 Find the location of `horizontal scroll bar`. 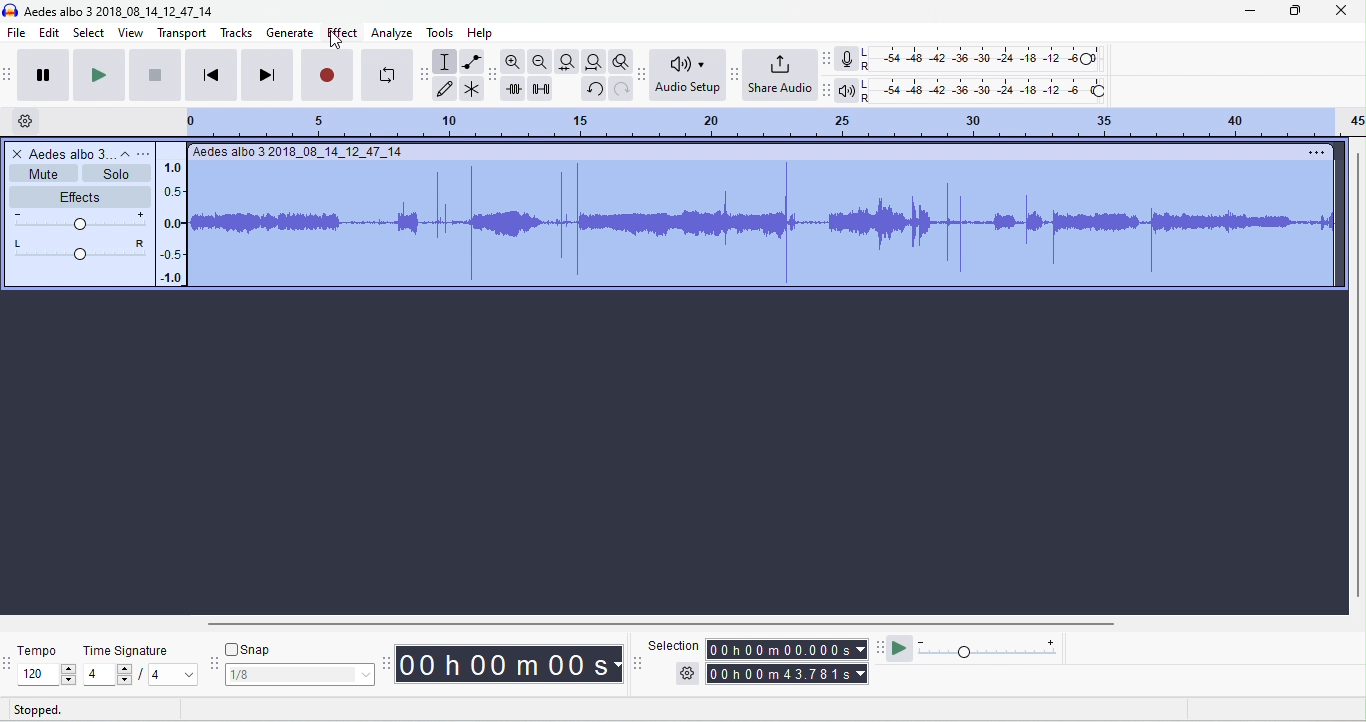

horizontal scroll bar is located at coordinates (643, 625).